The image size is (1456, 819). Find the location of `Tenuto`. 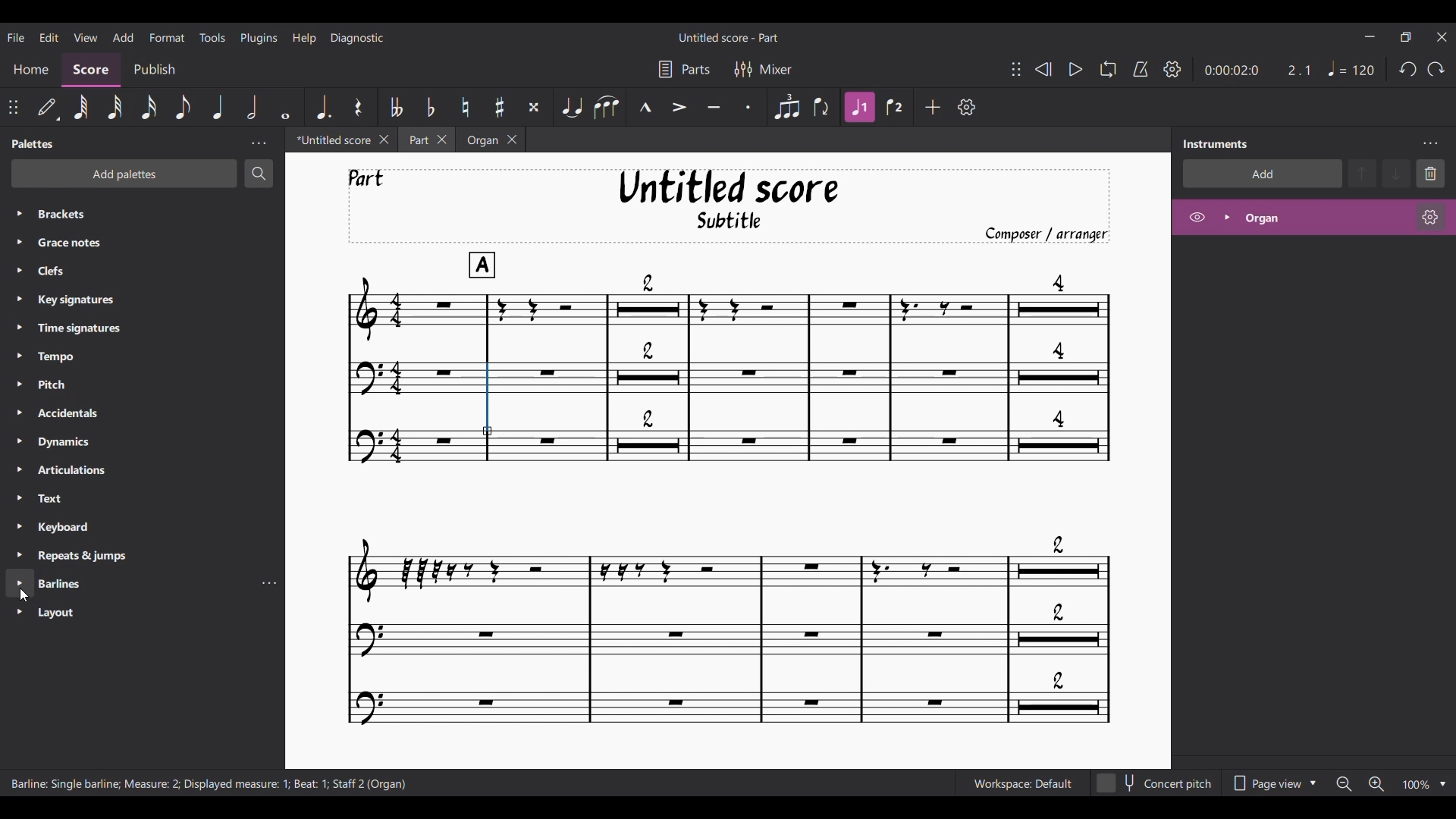

Tenuto is located at coordinates (714, 107).